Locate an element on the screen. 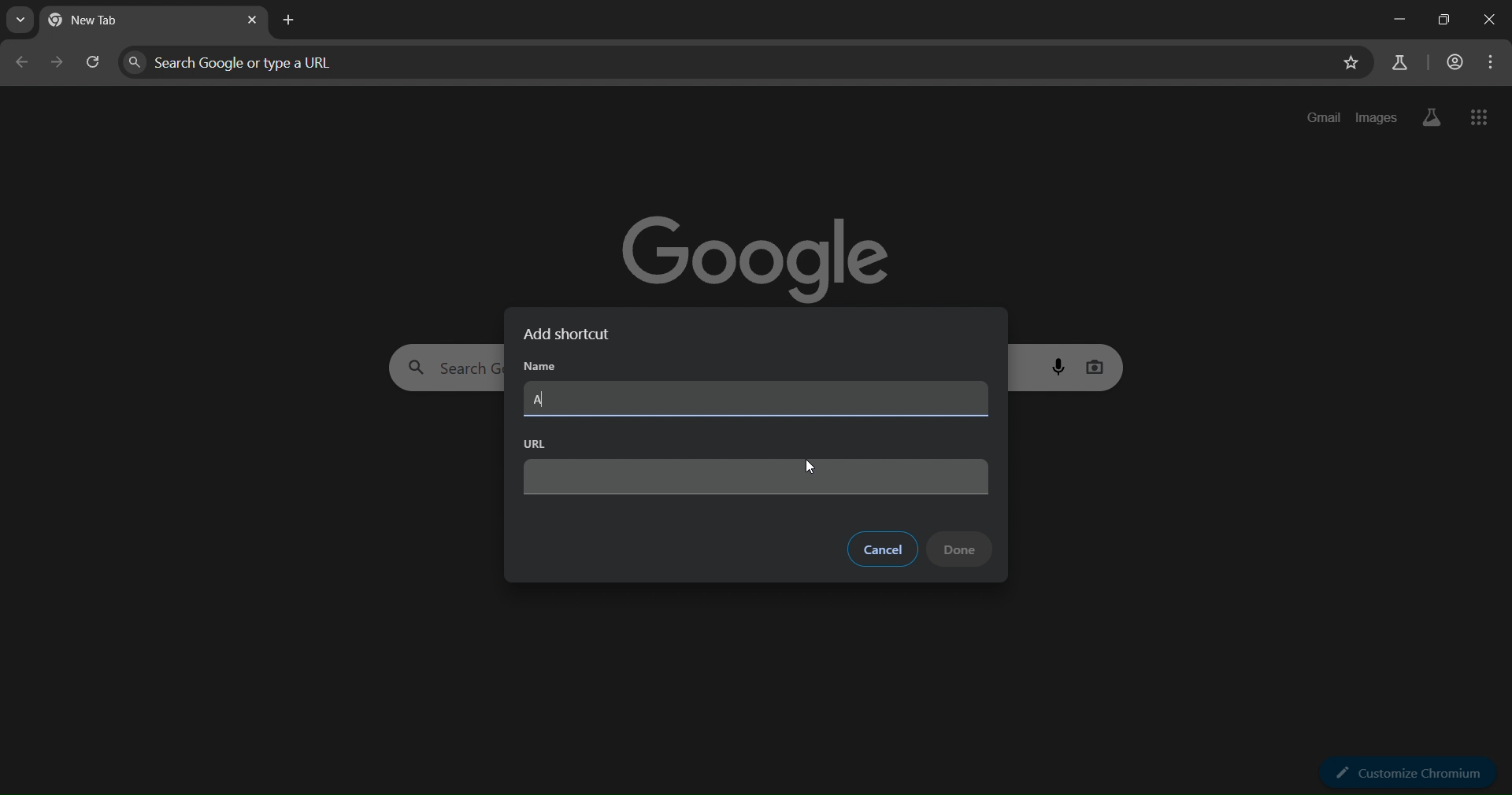 This screenshot has width=1512, height=795. add URL is located at coordinates (758, 477).